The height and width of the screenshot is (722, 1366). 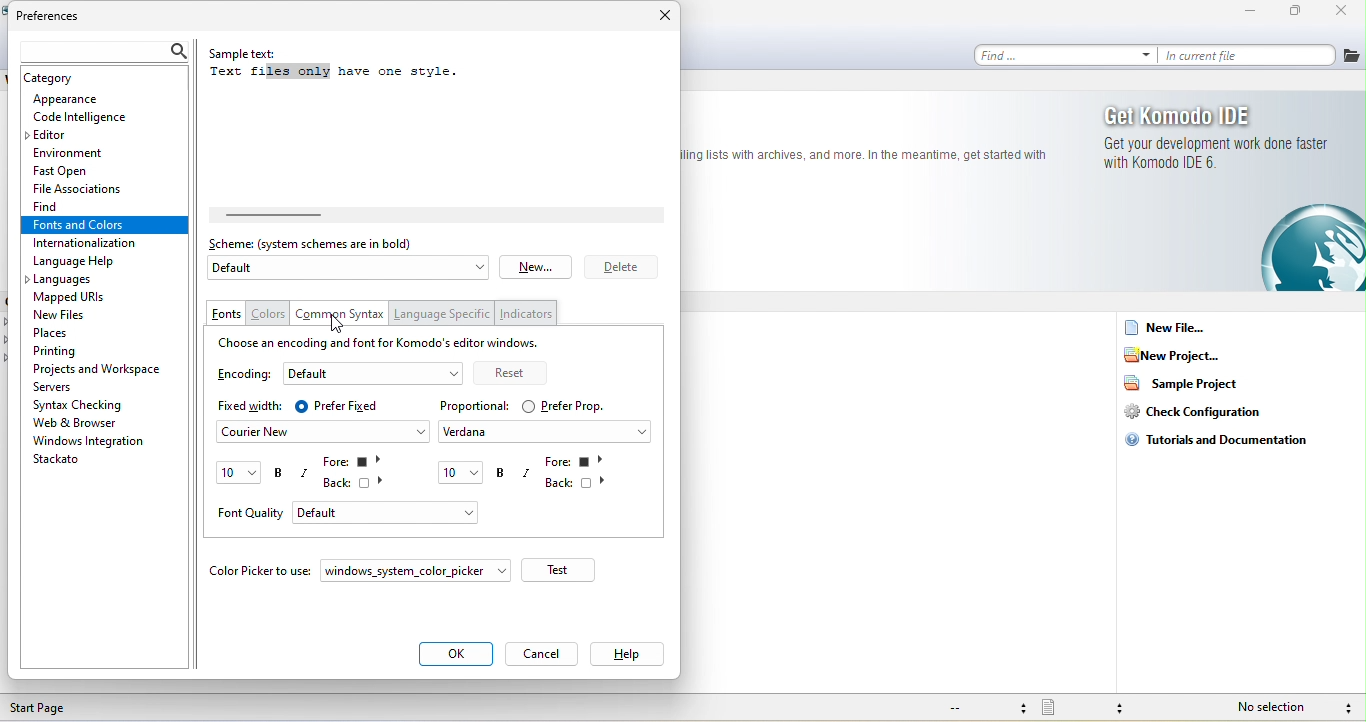 I want to click on catagory, so click(x=64, y=78).